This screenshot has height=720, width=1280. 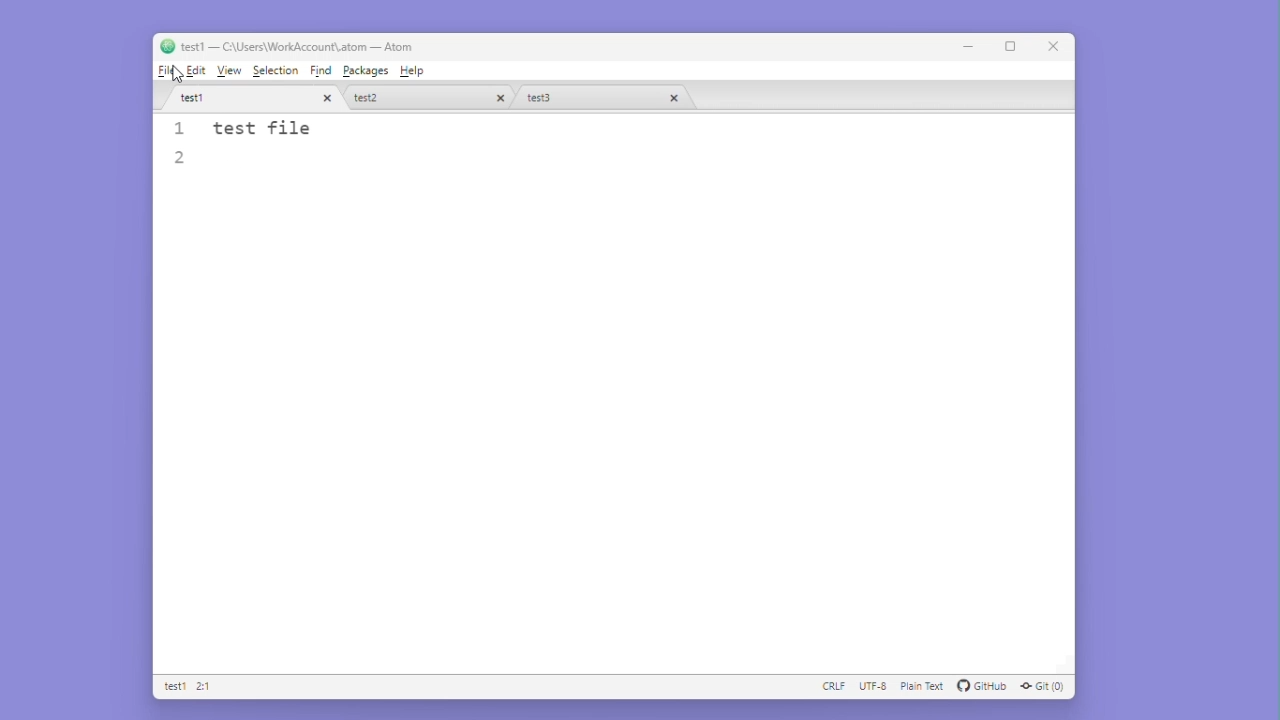 What do you see at coordinates (276, 71) in the screenshot?
I see `Selection` at bounding box center [276, 71].